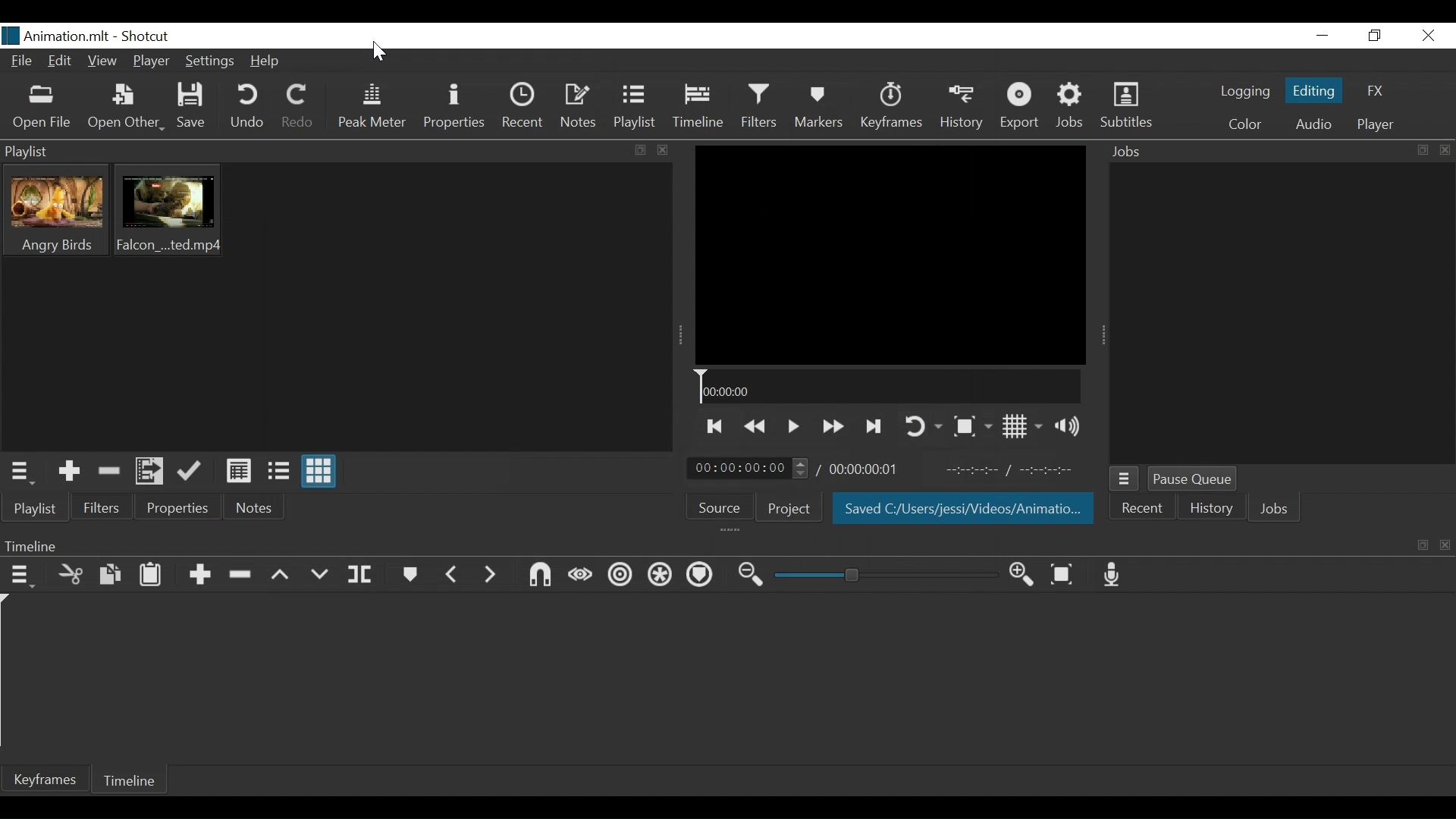 This screenshot has width=1456, height=819. Describe the element at coordinates (122, 107) in the screenshot. I see `Other File` at that location.